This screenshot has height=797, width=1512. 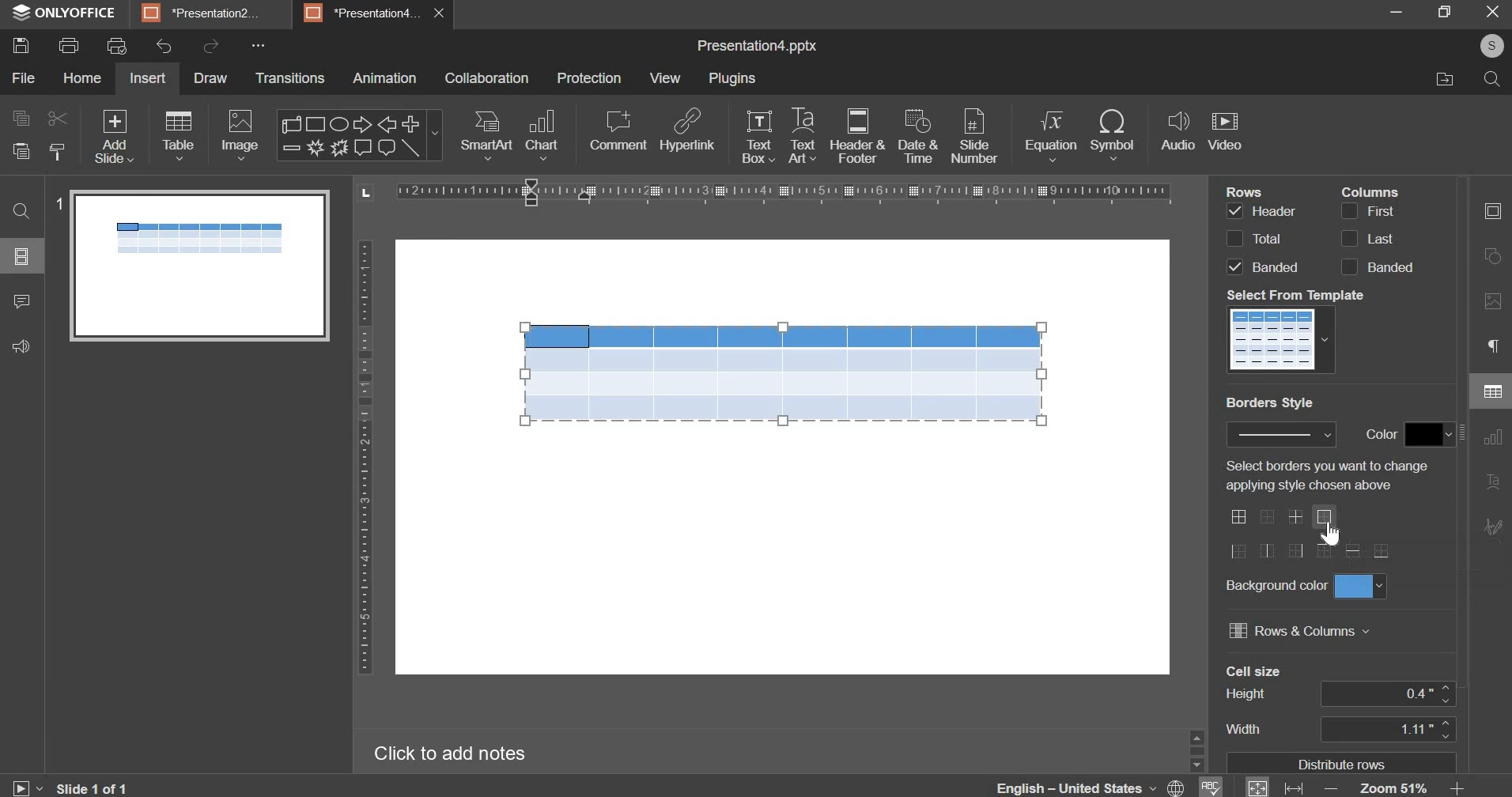 What do you see at coordinates (1492, 46) in the screenshot?
I see `s` at bounding box center [1492, 46].